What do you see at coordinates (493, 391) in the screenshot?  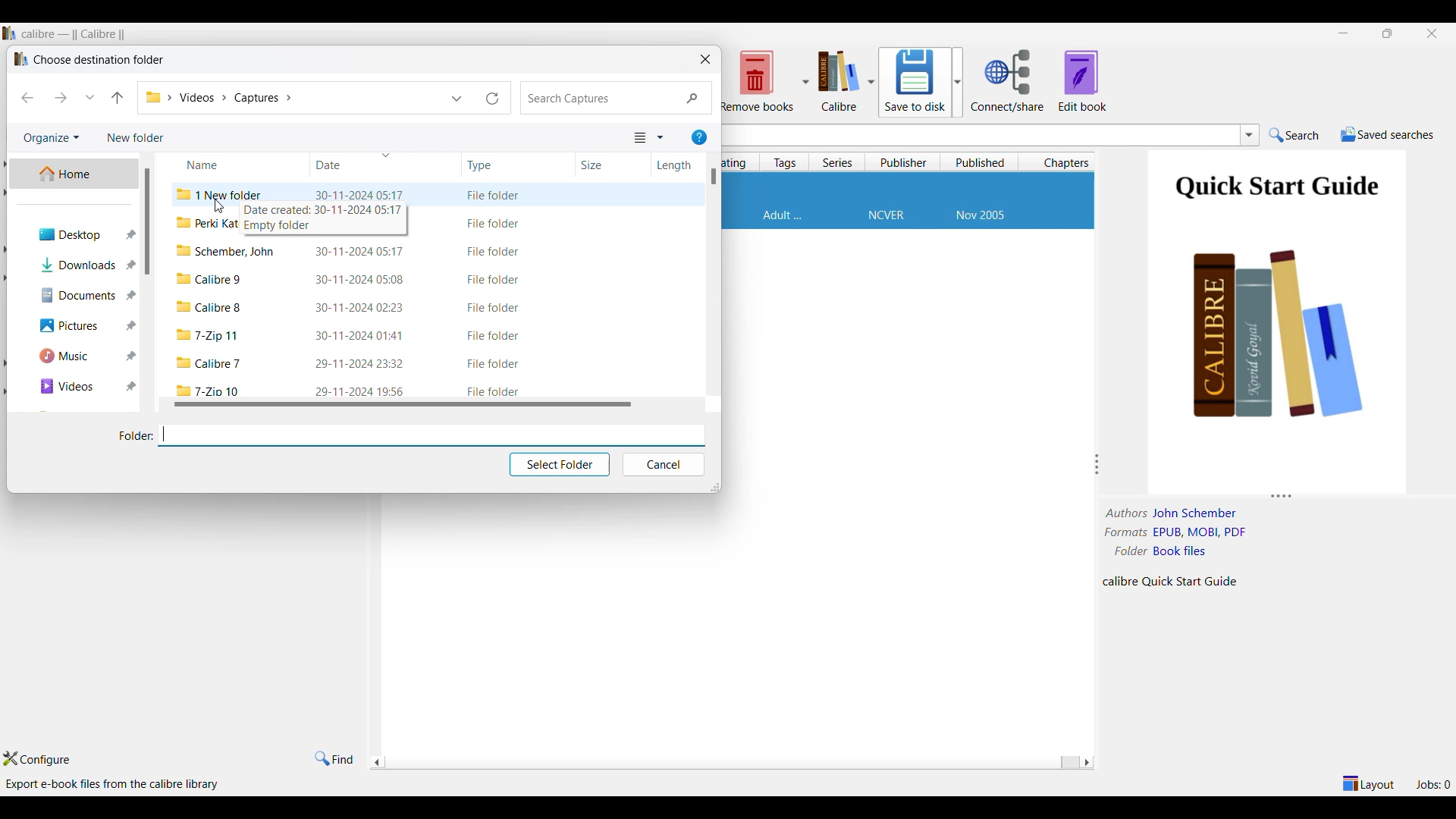 I see `file folder` at bounding box center [493, 391].